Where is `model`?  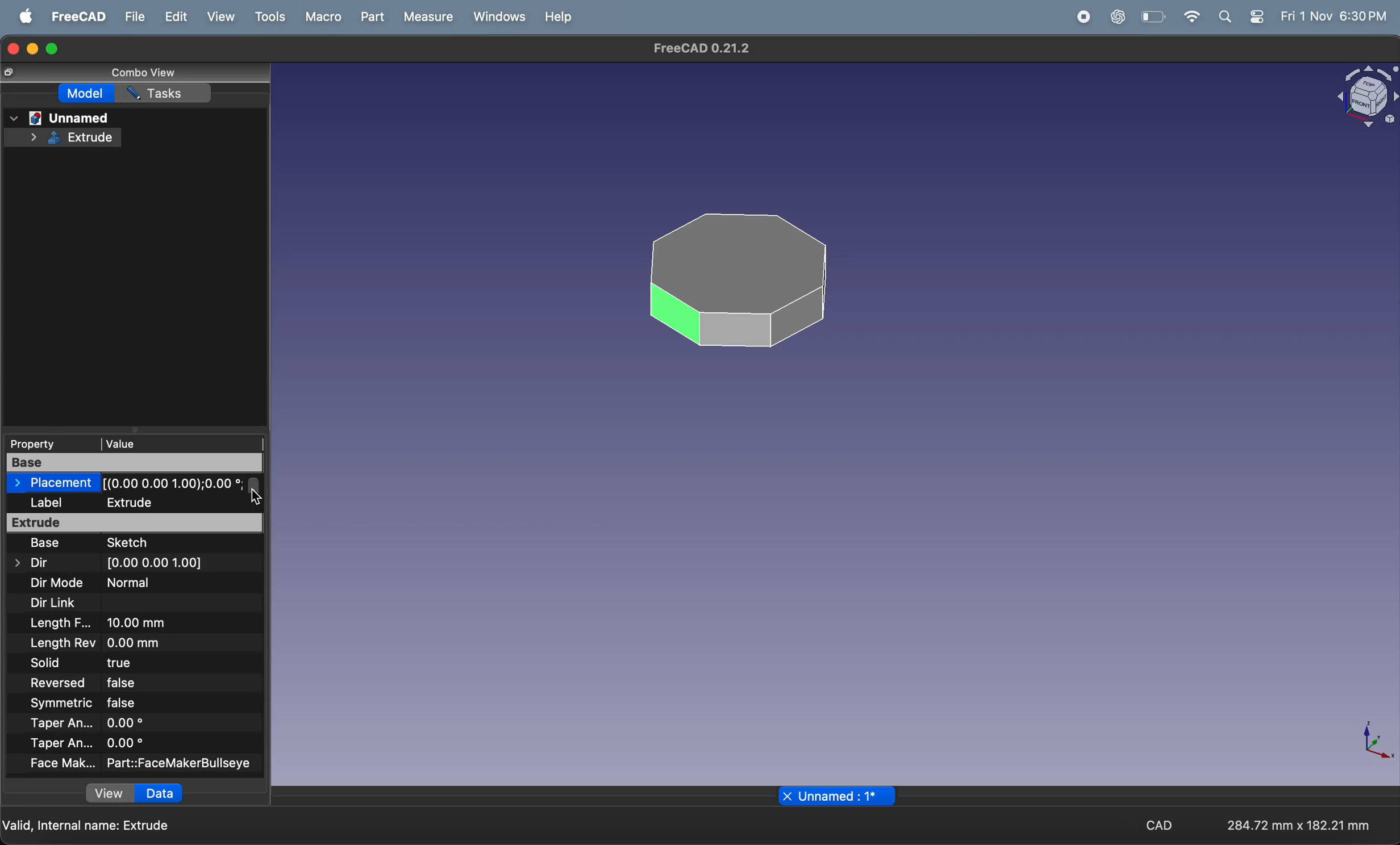 model is located at coordinates (84, 92).